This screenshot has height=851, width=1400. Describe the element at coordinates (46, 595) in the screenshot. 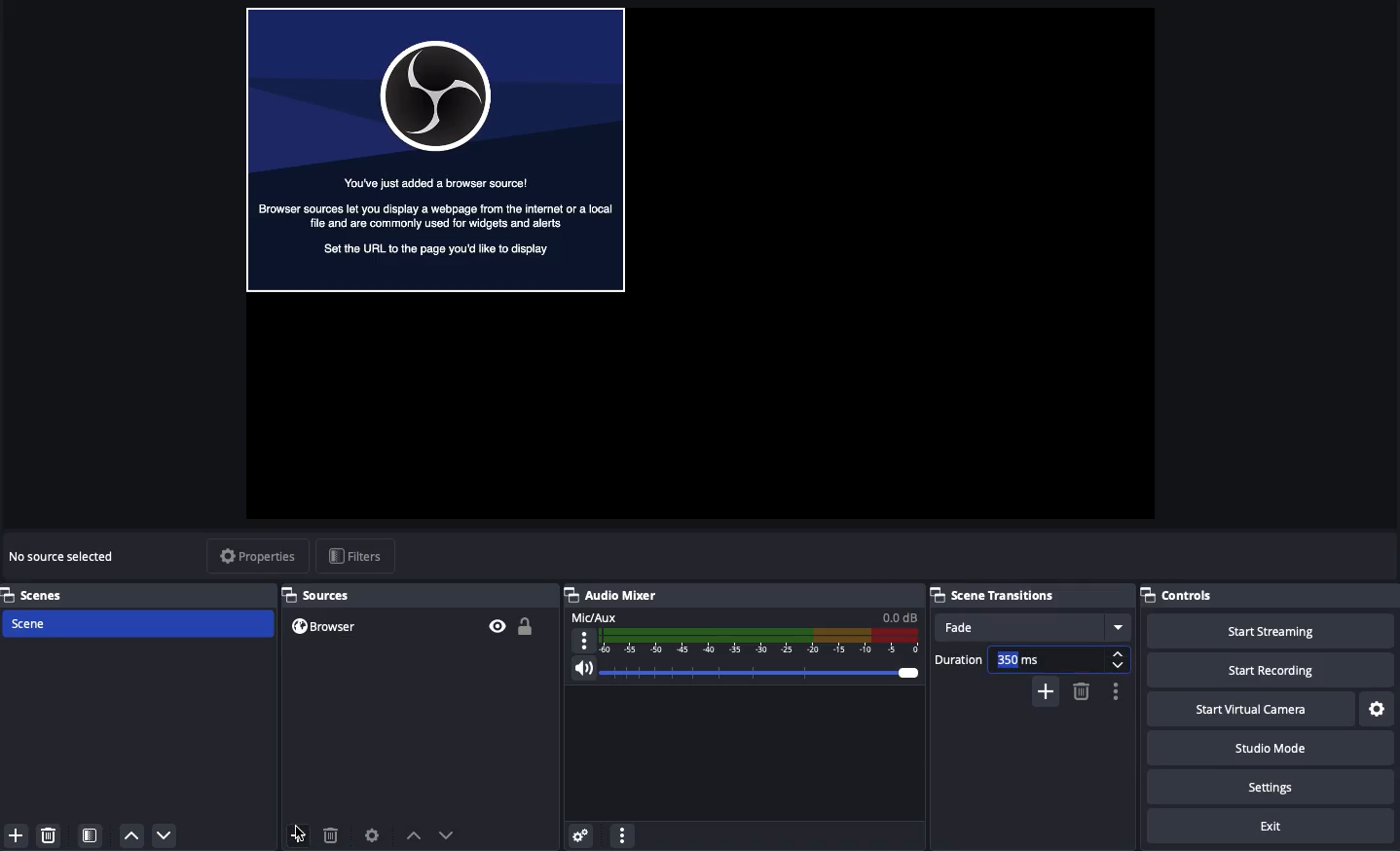

I see `Scenes` at that location.